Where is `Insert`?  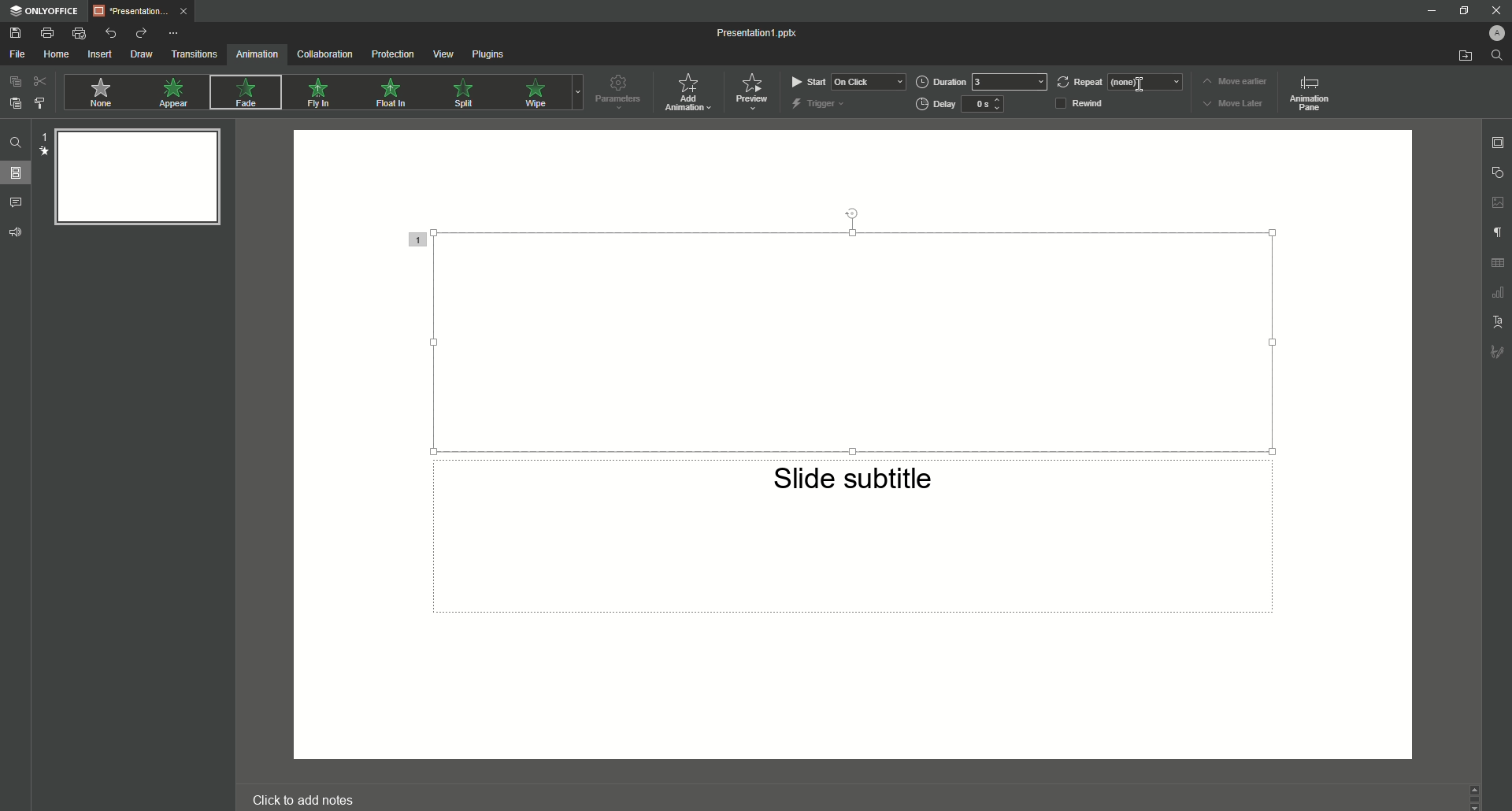
Insert is located at coordinates (101, 54).